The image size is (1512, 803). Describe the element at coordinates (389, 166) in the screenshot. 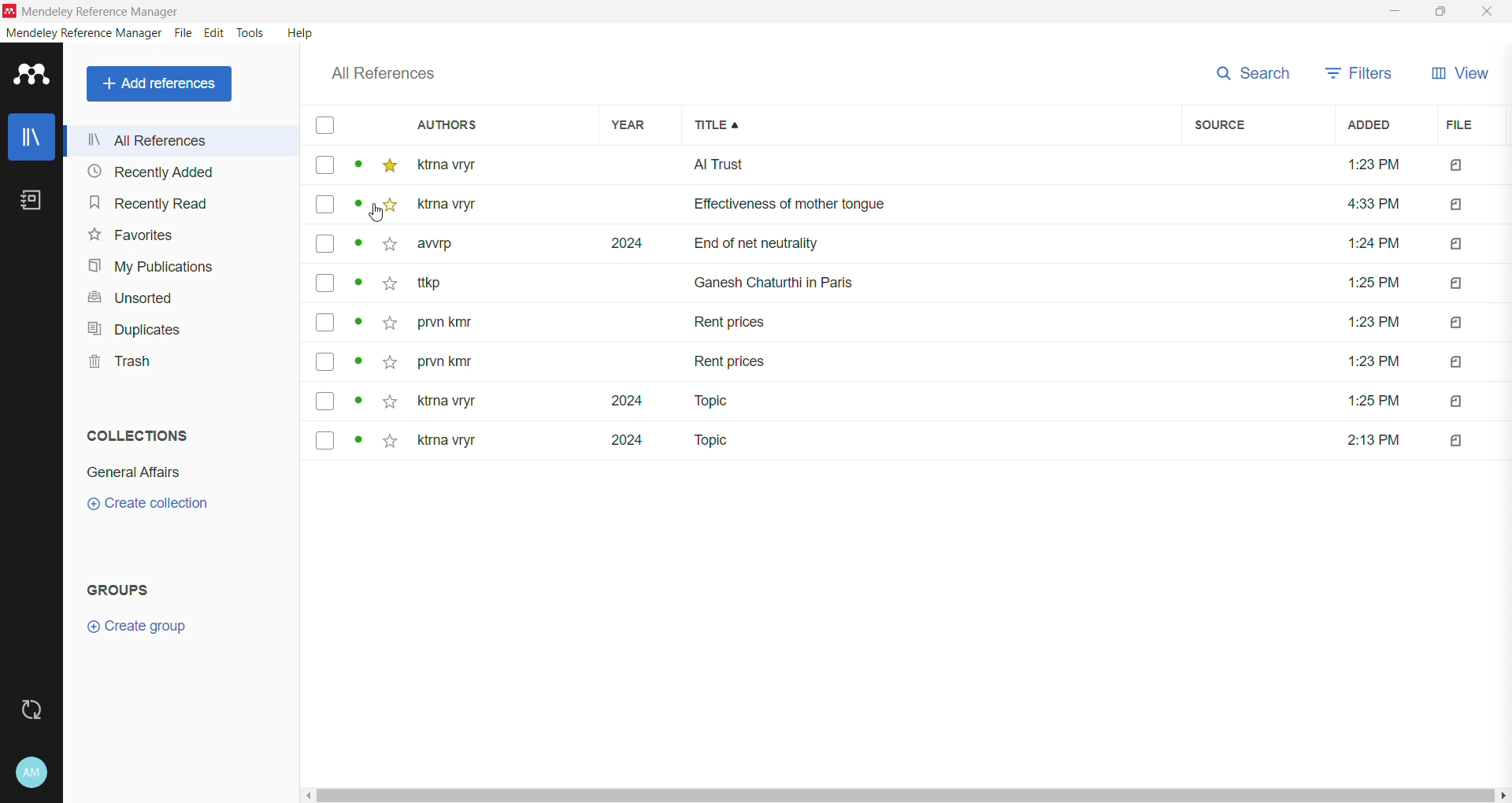

I see `star` at that location.